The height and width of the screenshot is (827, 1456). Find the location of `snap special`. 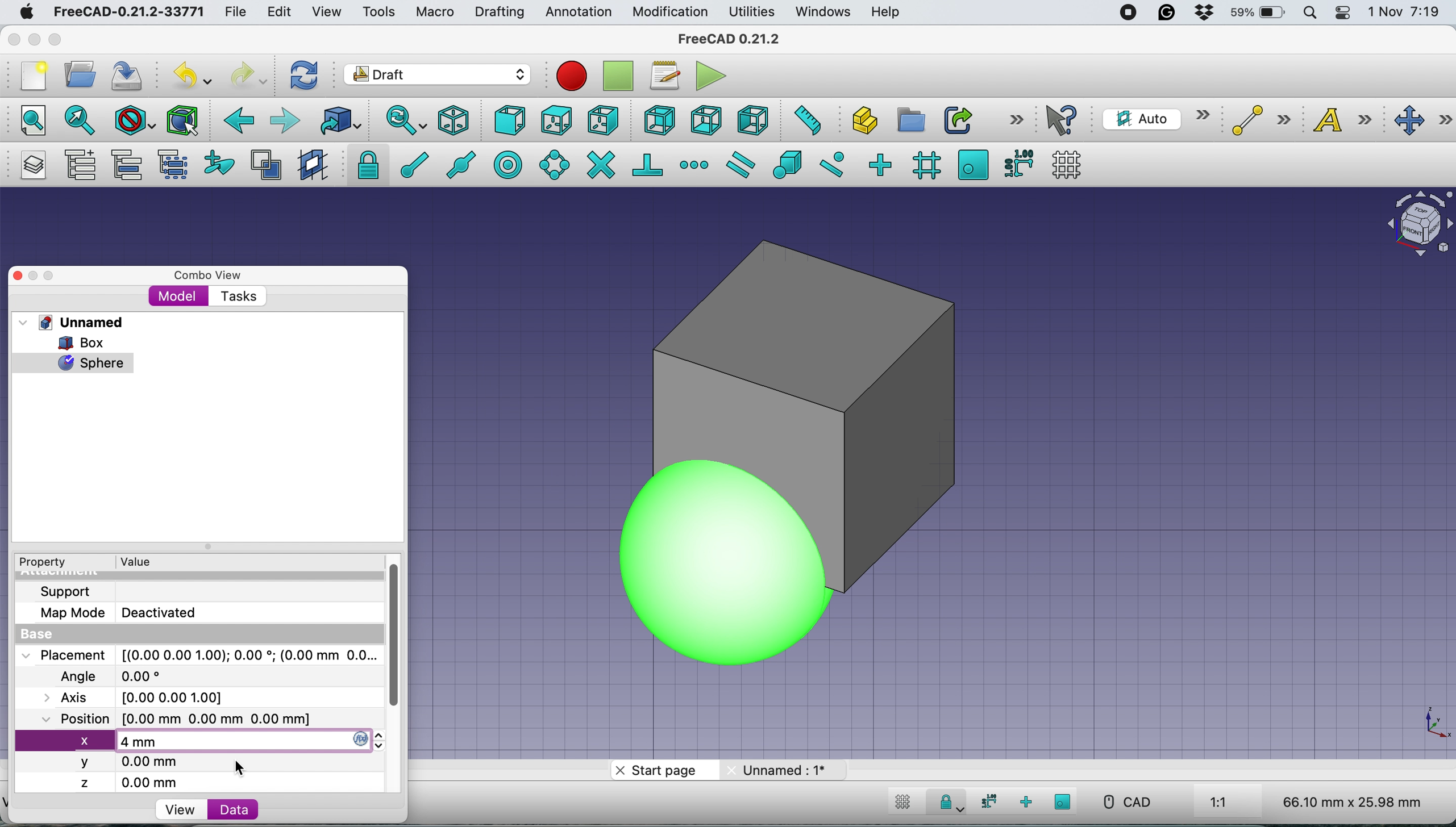

snap special is located at coordinates (787, 164).